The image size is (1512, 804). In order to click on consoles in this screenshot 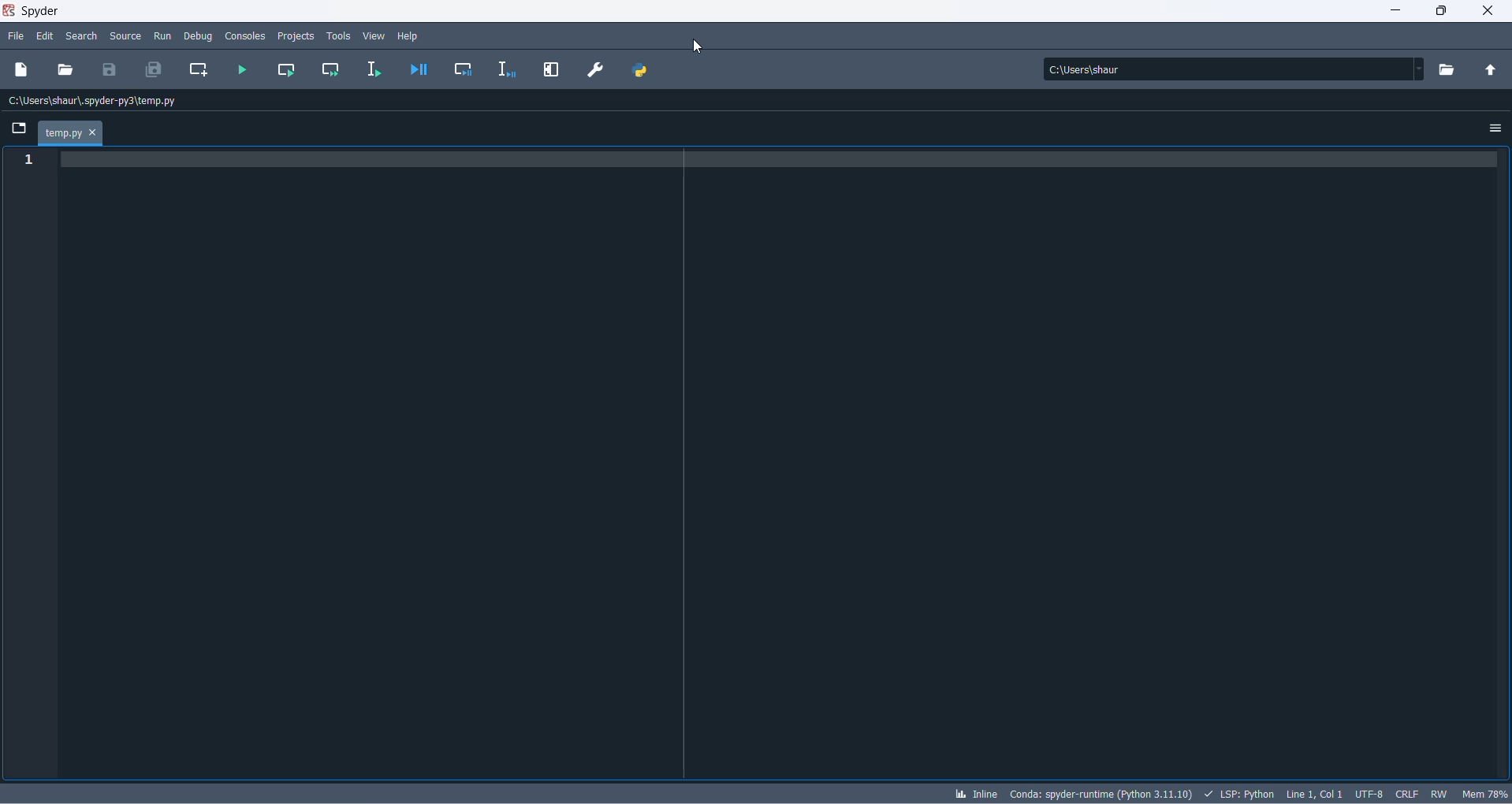, I will do `click(245, 35)`.